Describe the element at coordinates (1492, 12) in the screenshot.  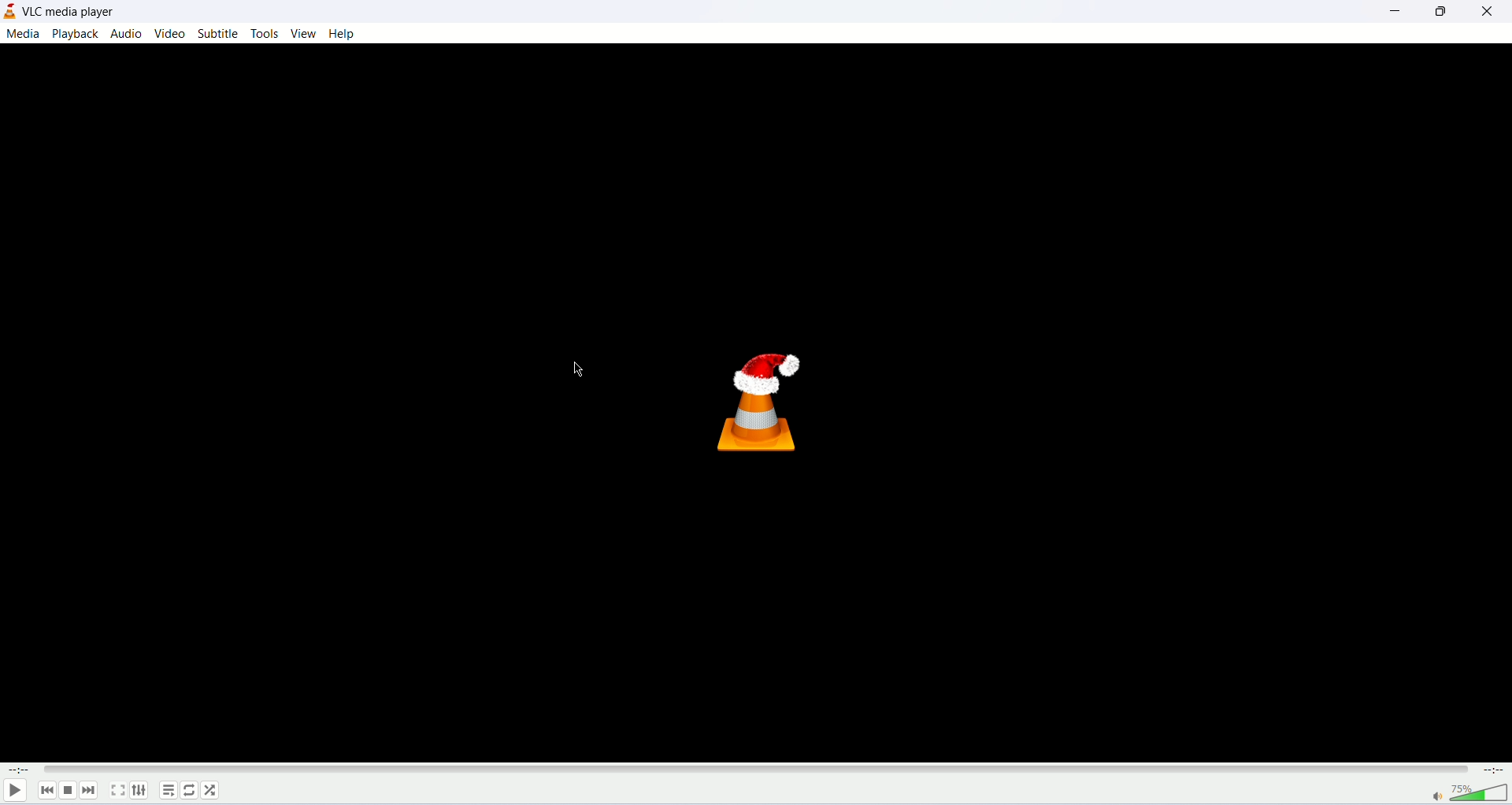
I see `close` at that location.